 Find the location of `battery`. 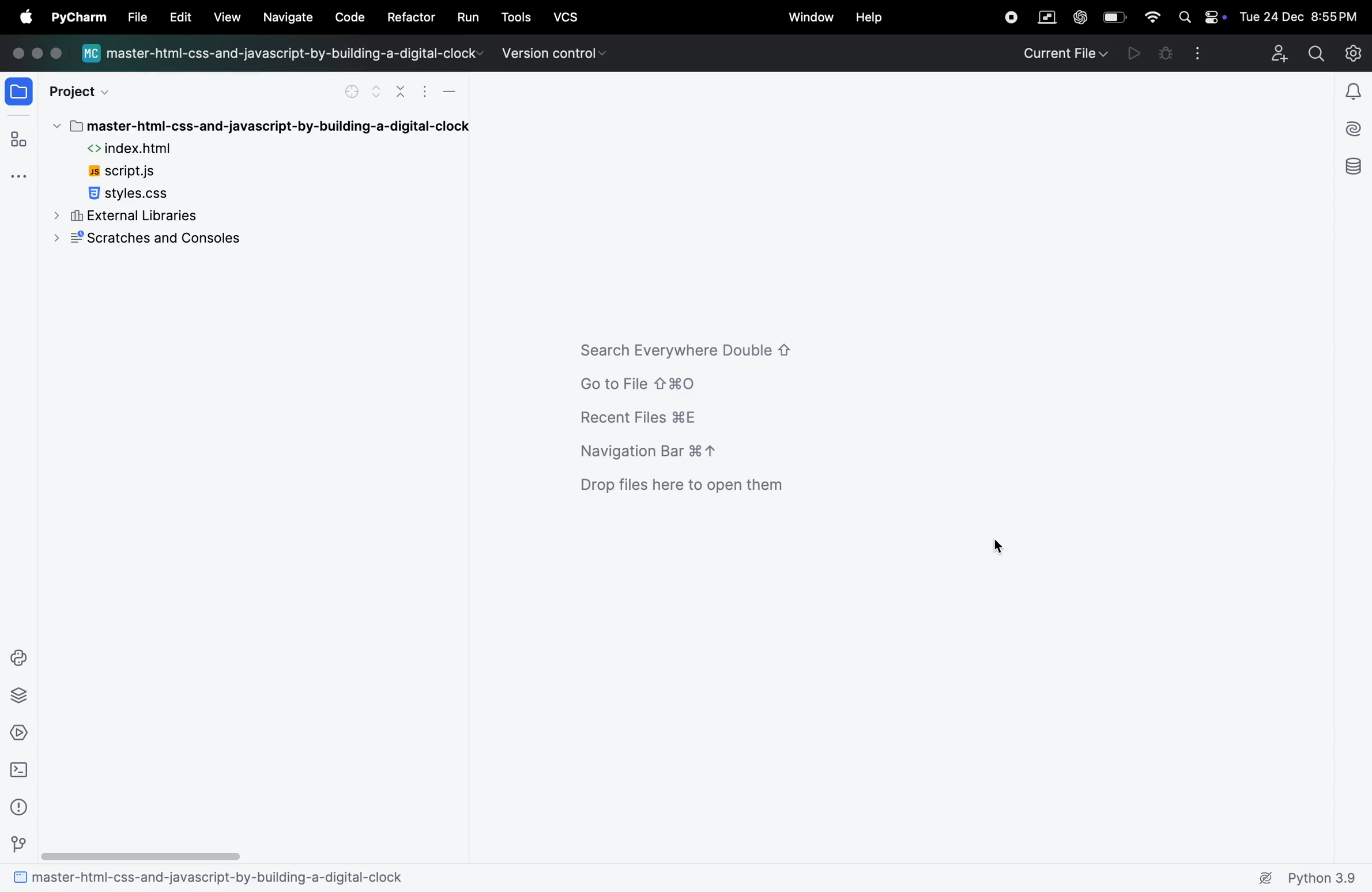

battery is located at coordinates (1114, 16).